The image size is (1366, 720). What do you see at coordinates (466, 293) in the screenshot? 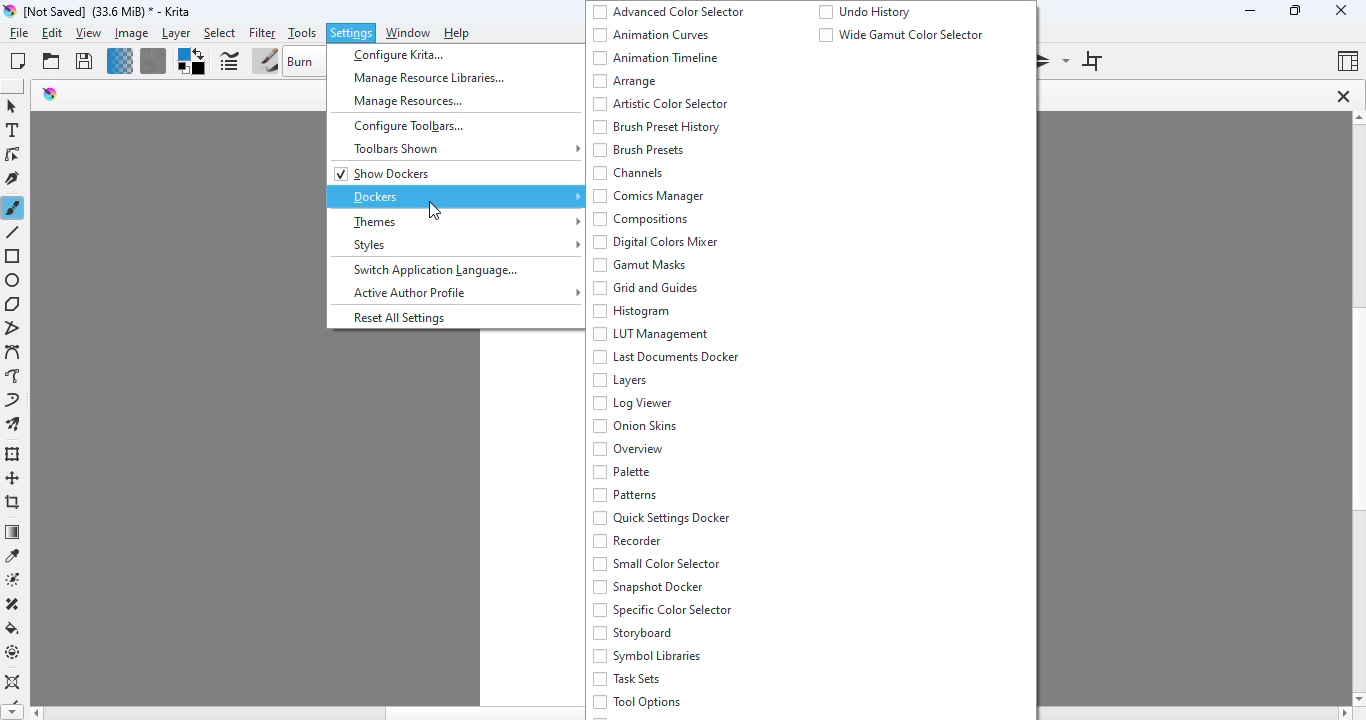
I see `active author profile` at bounding box center [466, 293].